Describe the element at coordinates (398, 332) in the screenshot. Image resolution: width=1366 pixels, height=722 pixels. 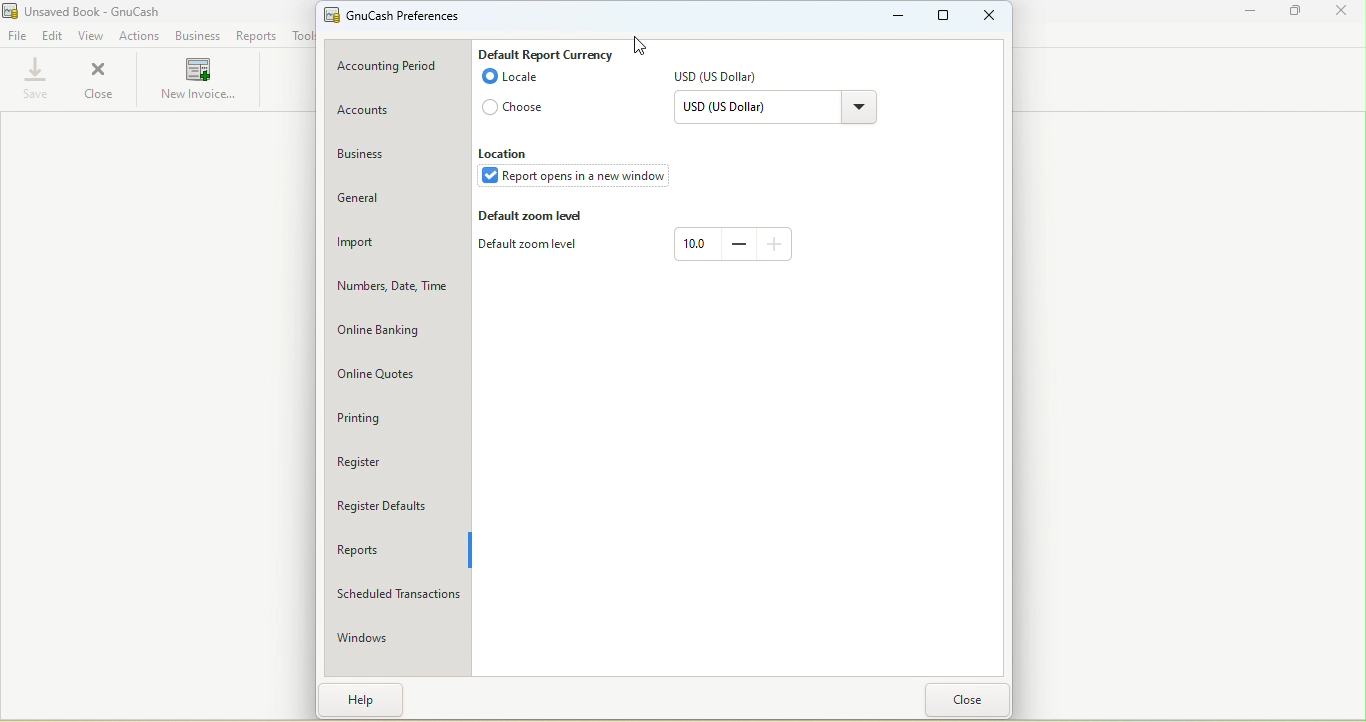
I see `Online banking` at that location.